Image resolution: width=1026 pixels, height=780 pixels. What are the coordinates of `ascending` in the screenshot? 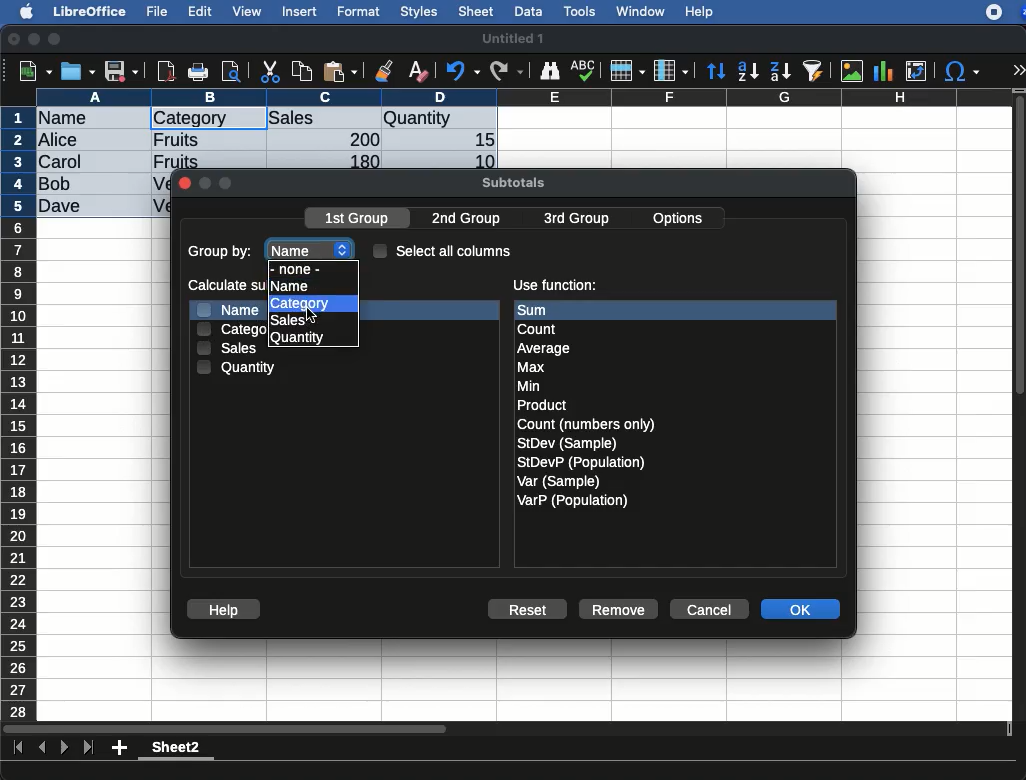 It's located at (748, 70).